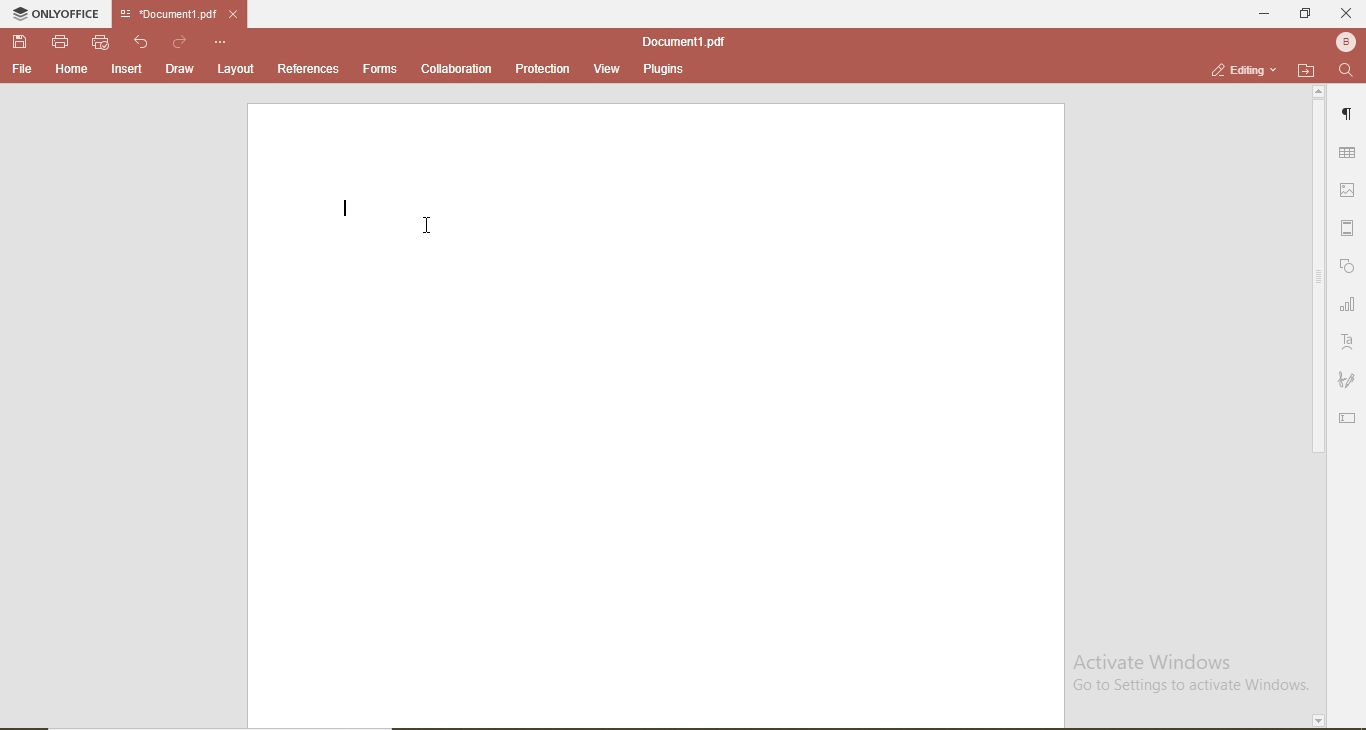 The height and width of the screenshot is (730, 1366). What do you see at coordinates (1346, 154) in the screenshot?
I see `table` at bounding box center [1346, 154].